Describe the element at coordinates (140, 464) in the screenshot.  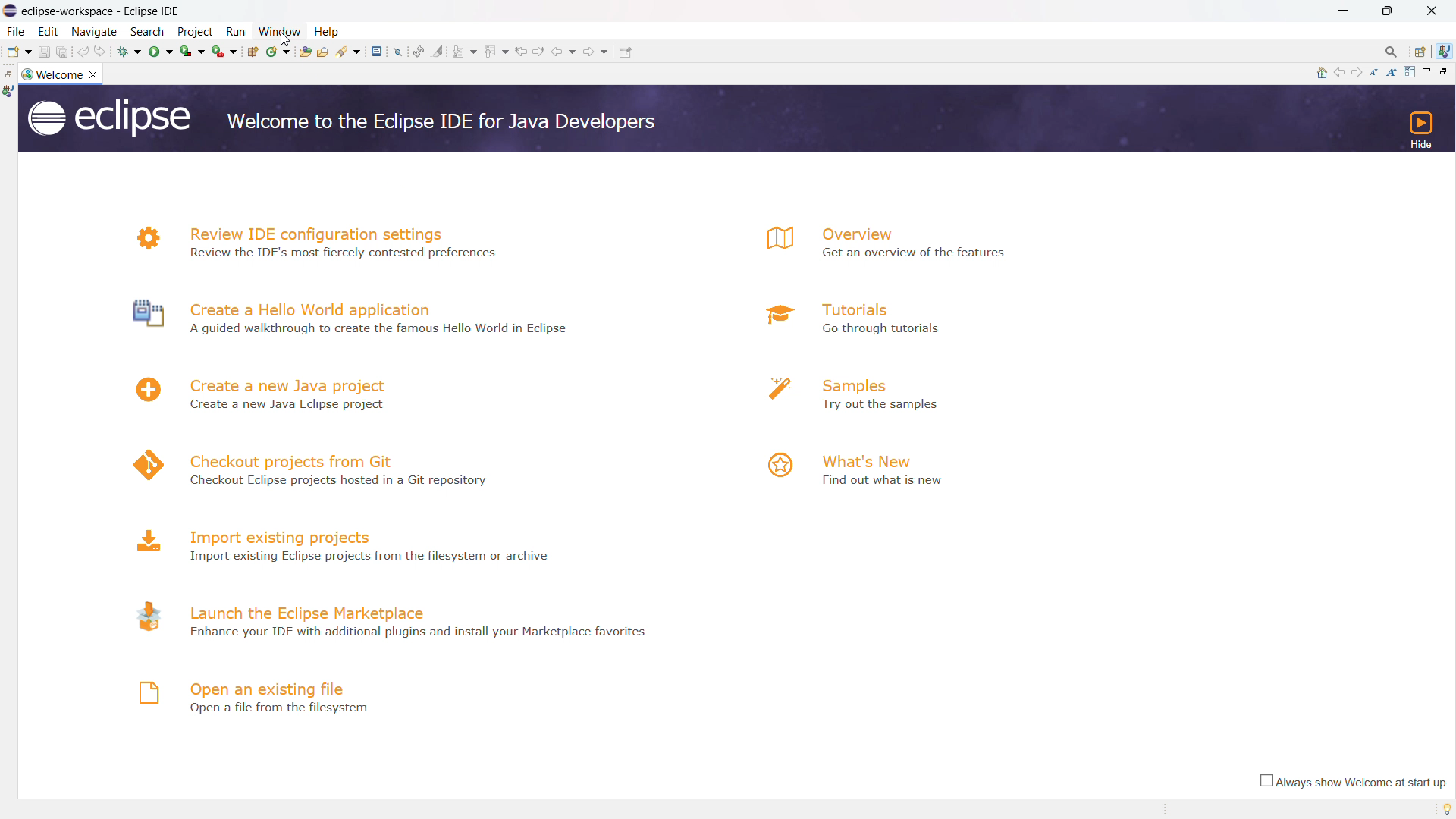
I see `logo` at that location.